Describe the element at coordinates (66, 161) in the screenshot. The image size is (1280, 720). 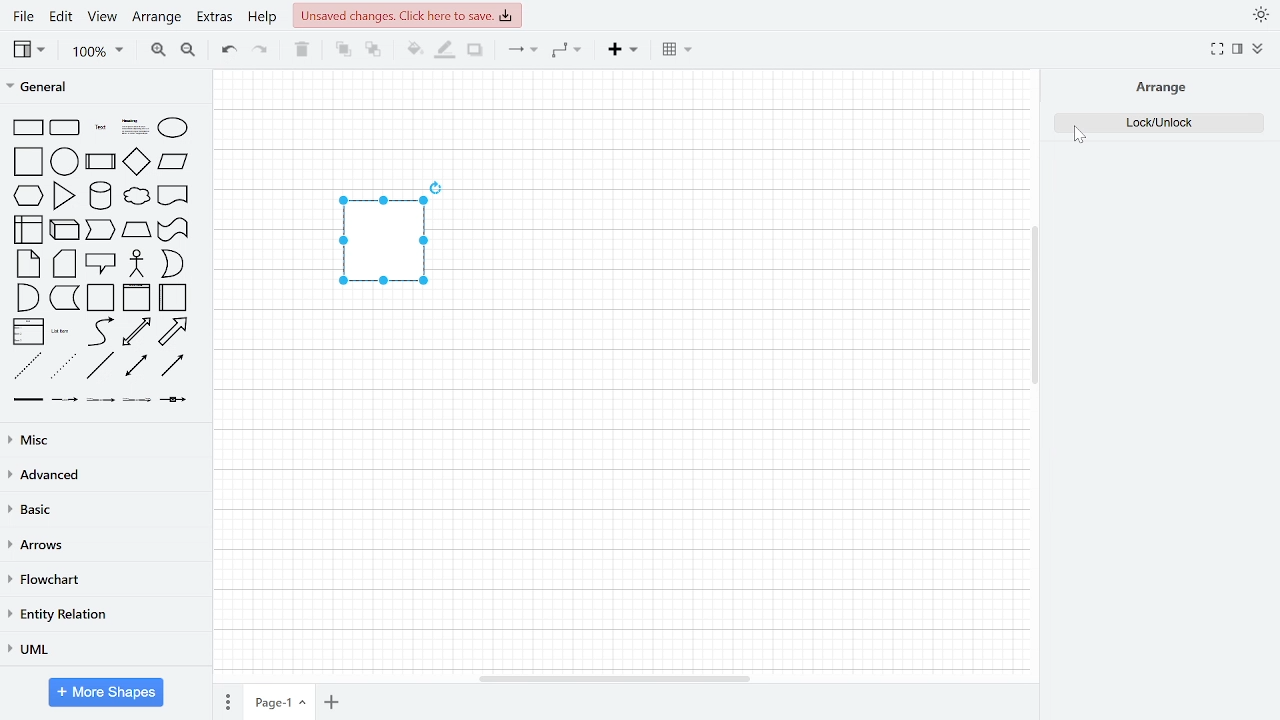
I see `circle` at that location.